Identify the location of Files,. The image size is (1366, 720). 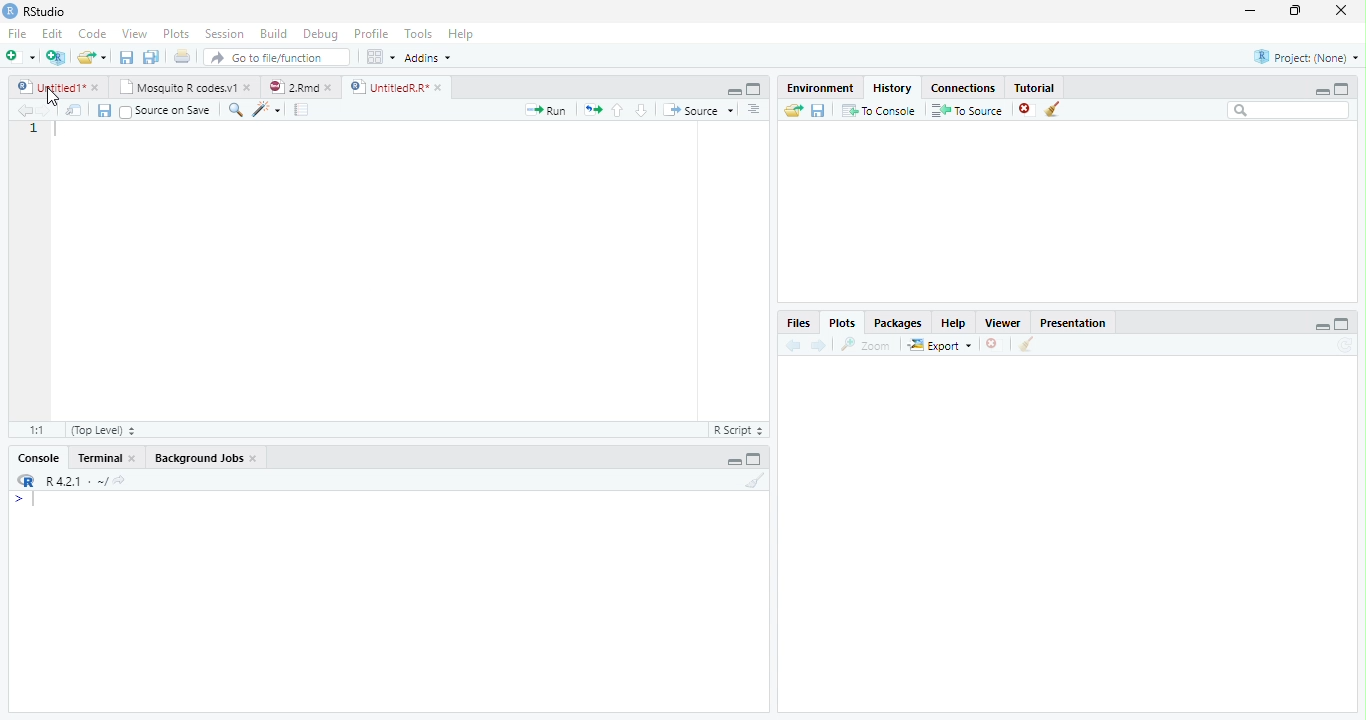
(795, 323).